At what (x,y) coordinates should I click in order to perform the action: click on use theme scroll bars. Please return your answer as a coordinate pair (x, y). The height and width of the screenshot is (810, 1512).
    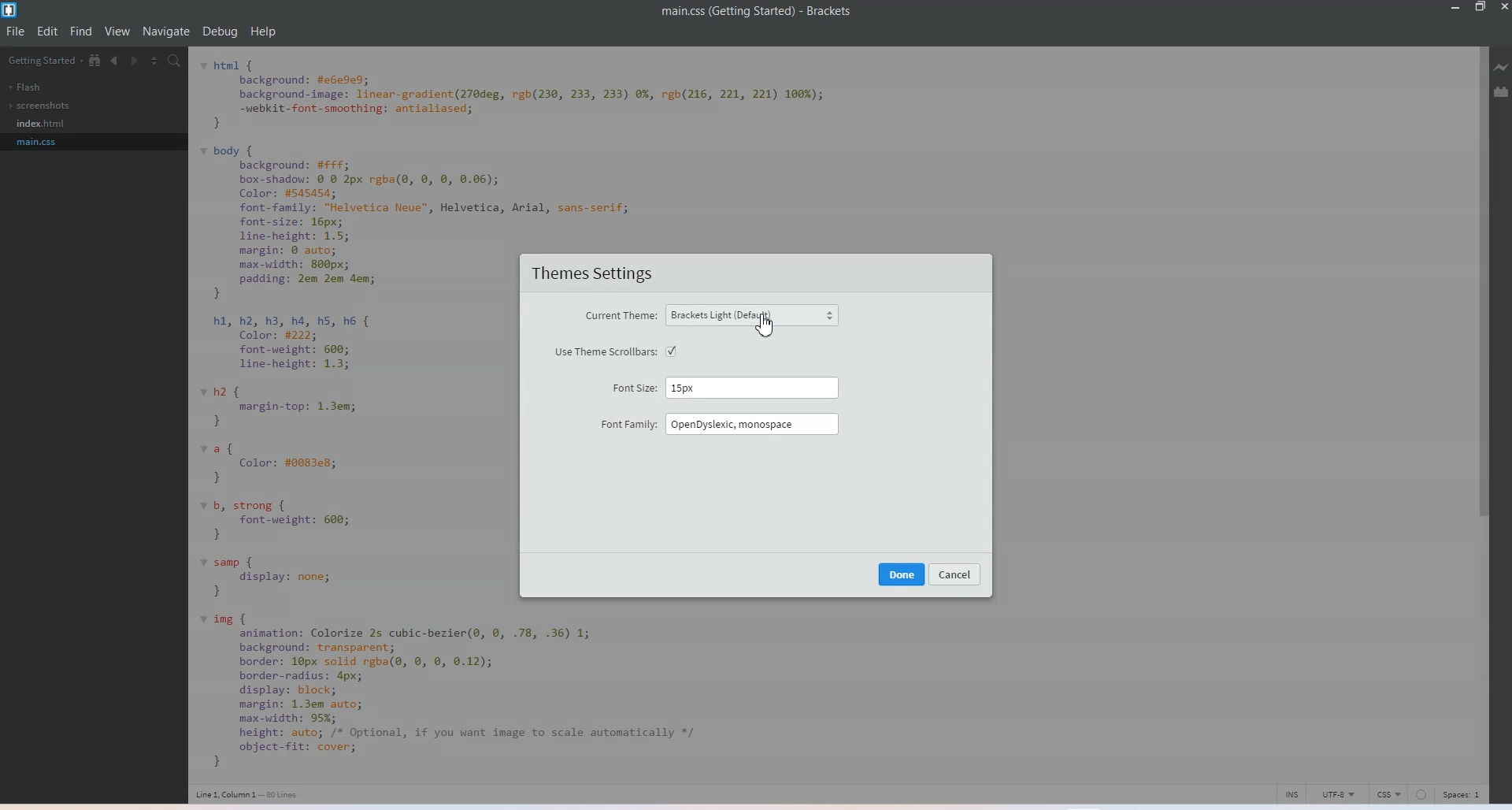
    Looking at the image, I should click on (615, 351).